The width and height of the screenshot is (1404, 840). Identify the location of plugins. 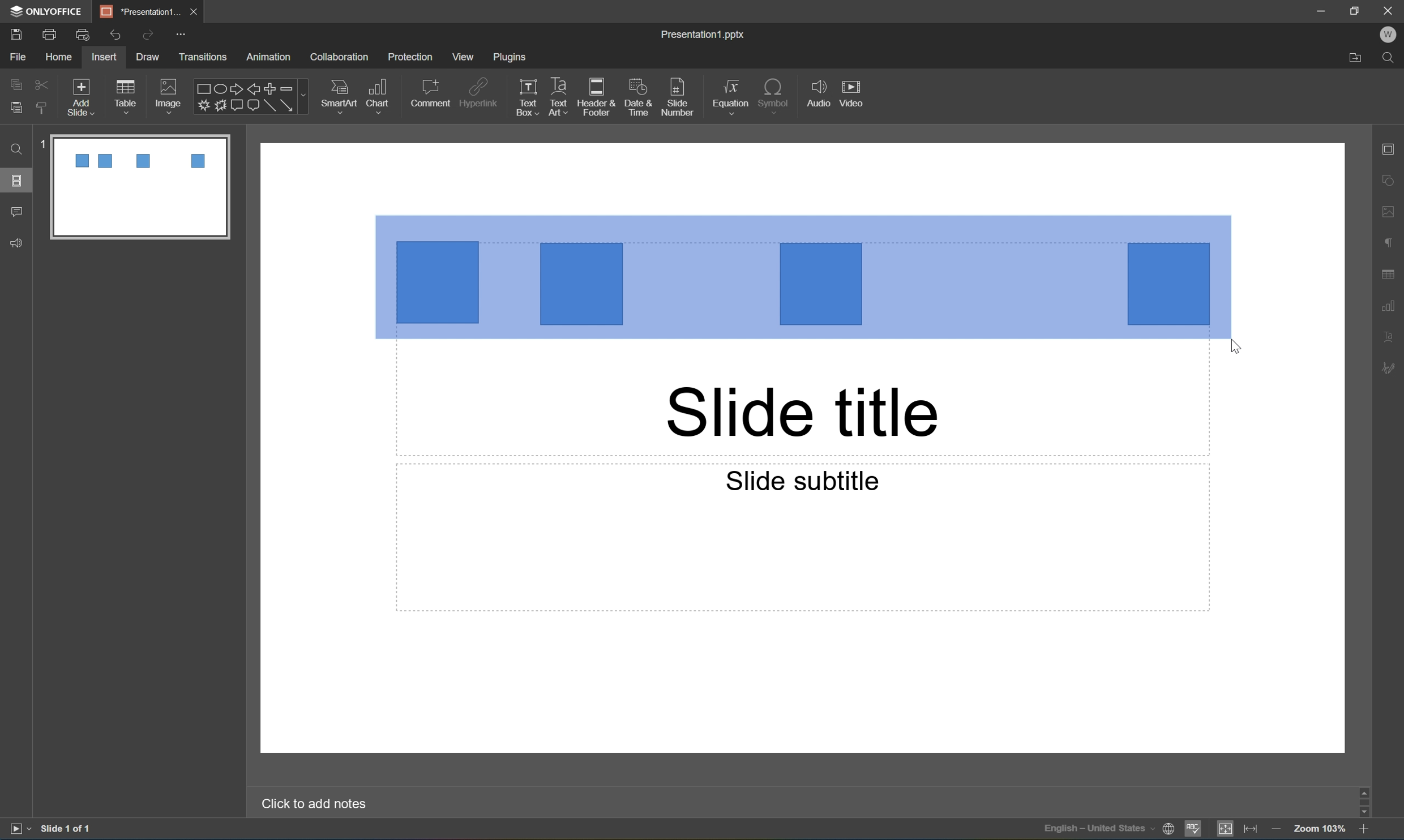
(512, 58).